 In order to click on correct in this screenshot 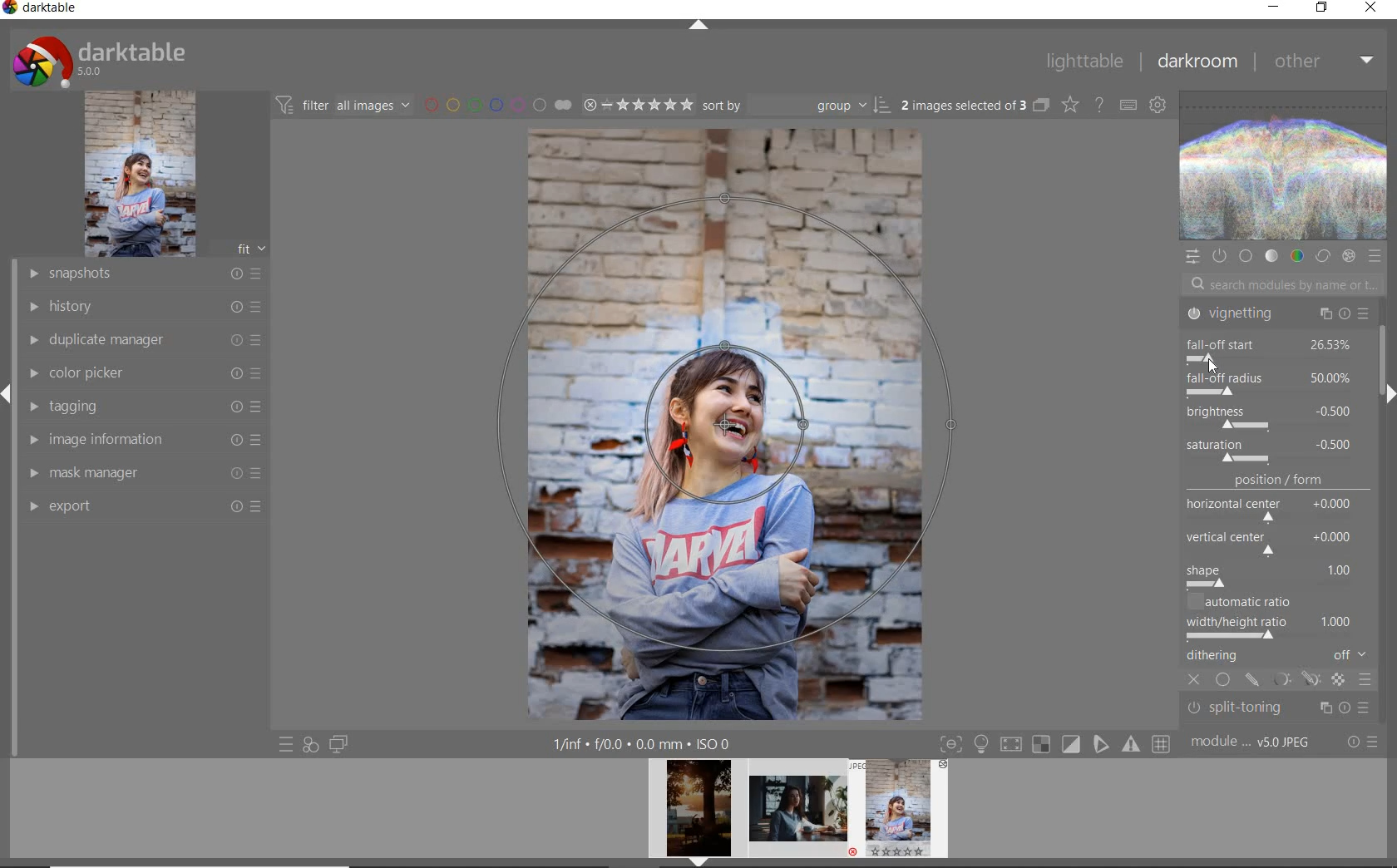, I will do `click(1323, 257)`.